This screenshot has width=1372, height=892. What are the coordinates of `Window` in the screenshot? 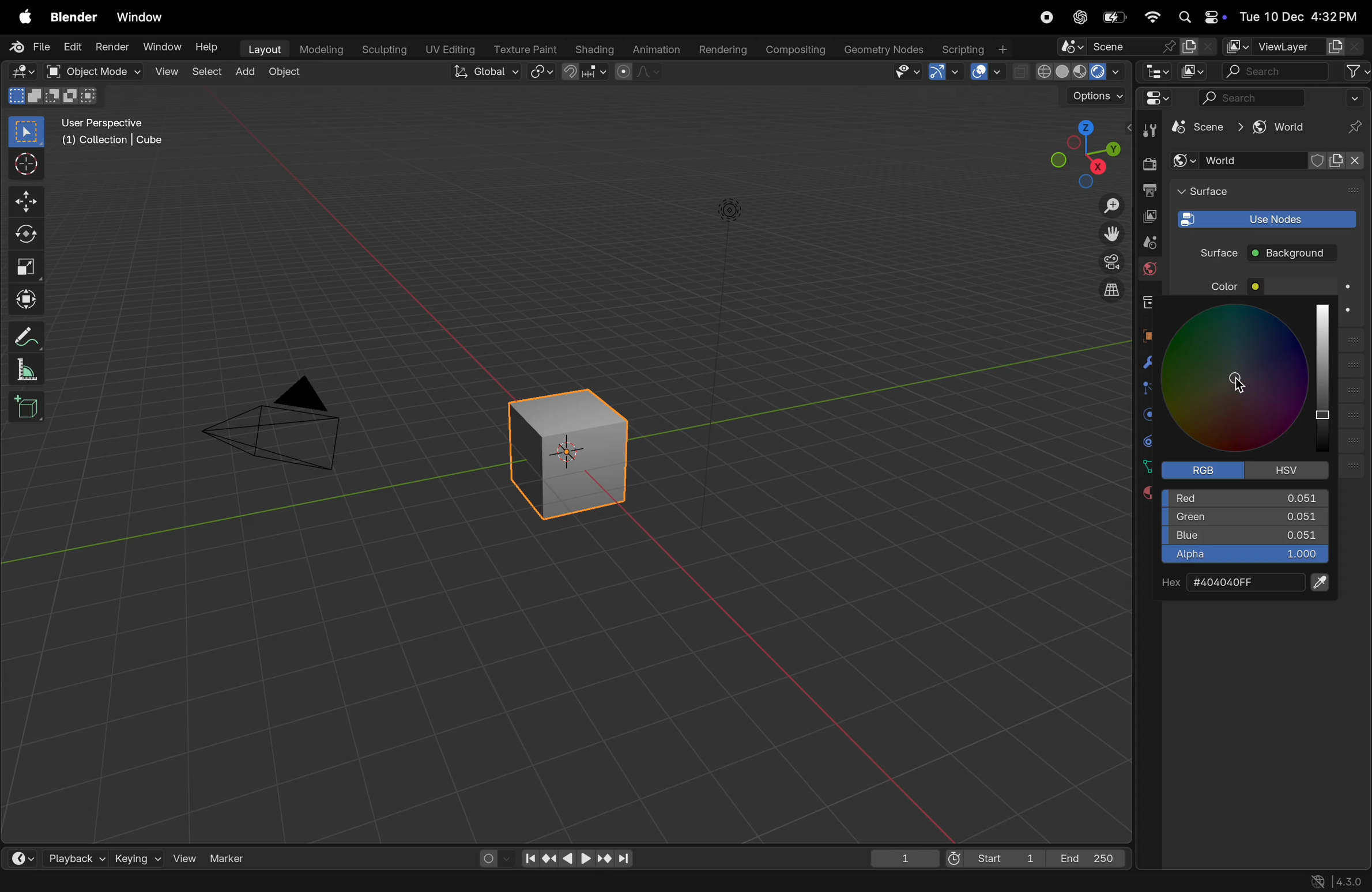 It's located at (161, 47).